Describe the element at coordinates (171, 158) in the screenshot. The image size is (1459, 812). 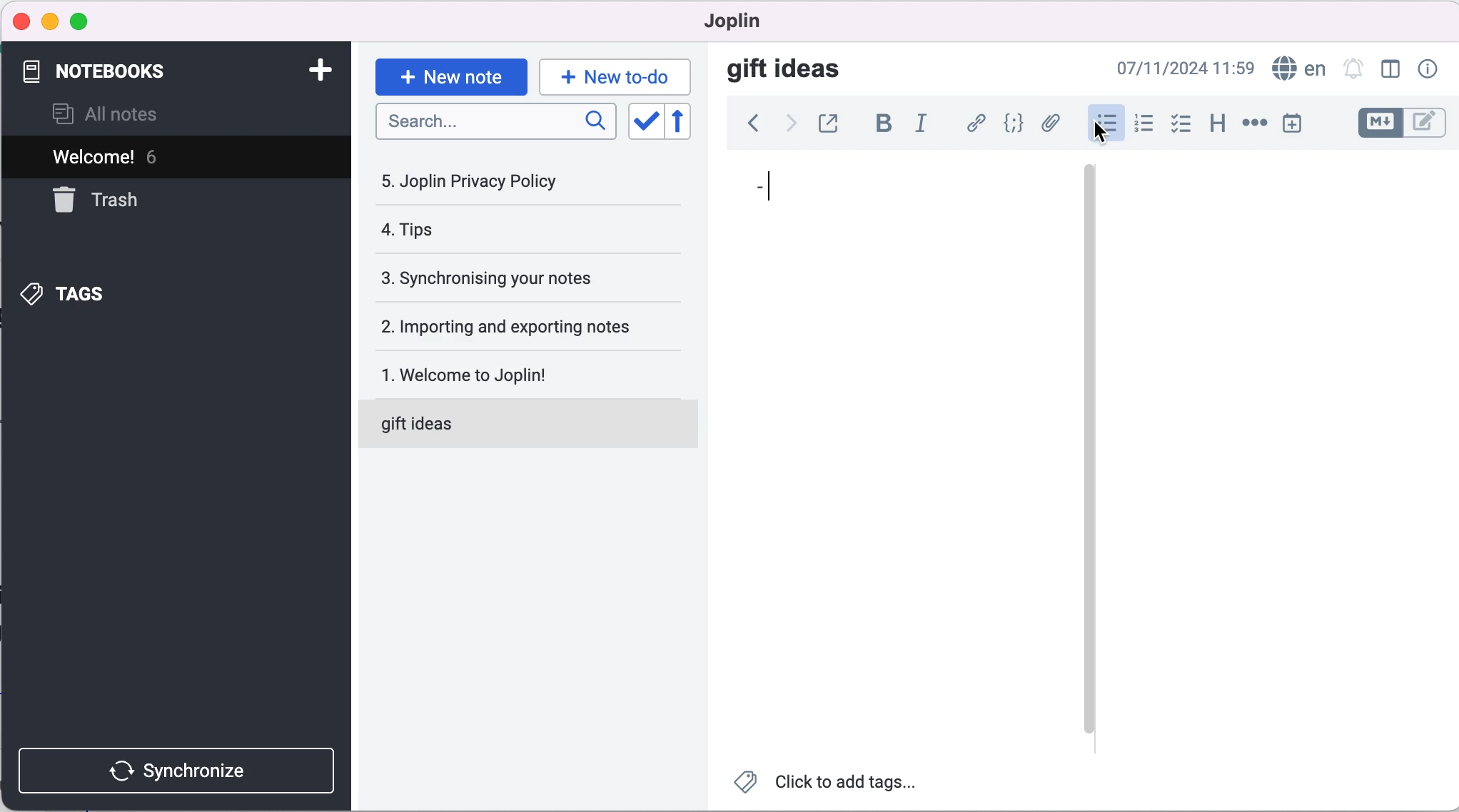
I see `welcome! 6` at that location.